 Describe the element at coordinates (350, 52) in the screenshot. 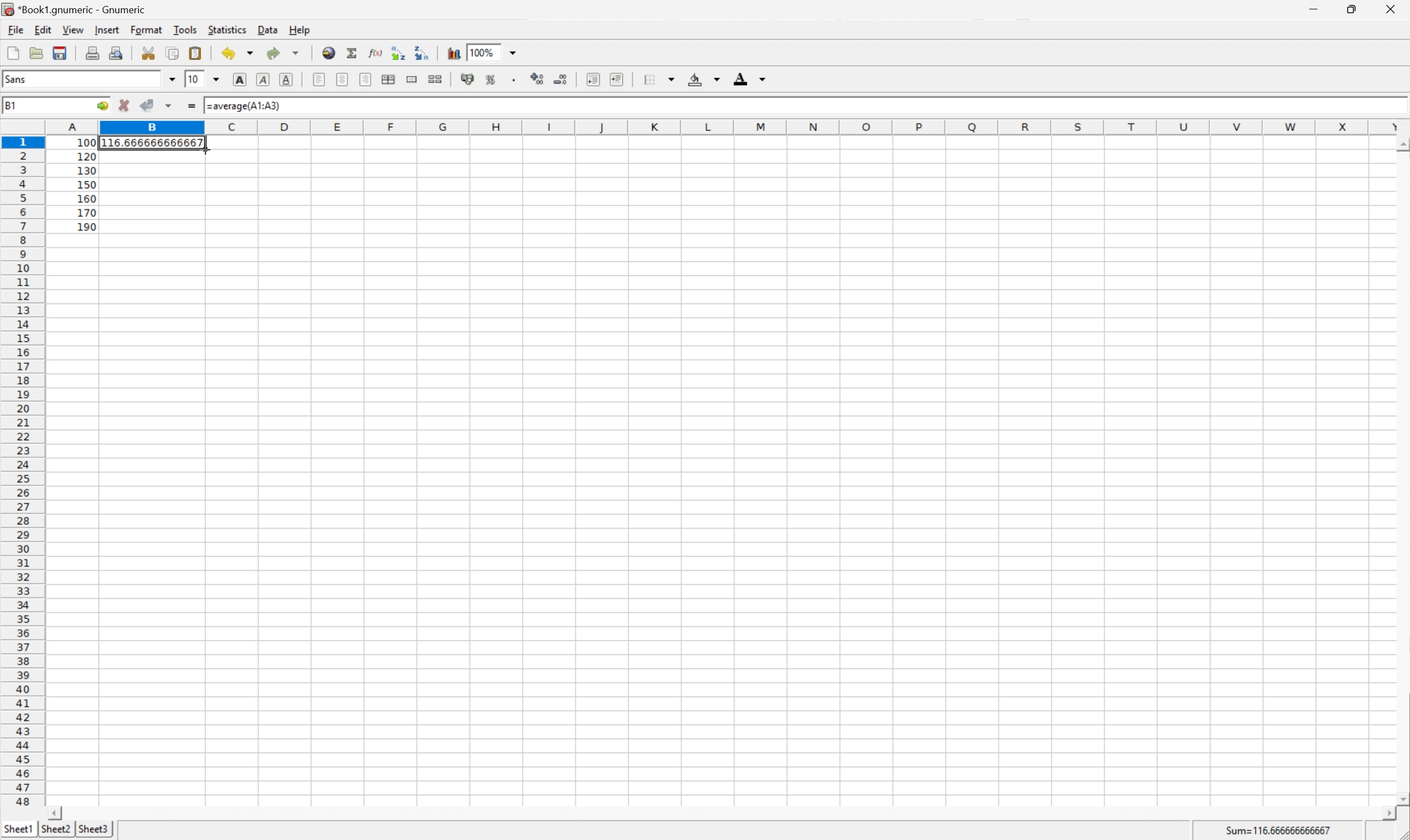

I see `Sum into current cell` at that location.